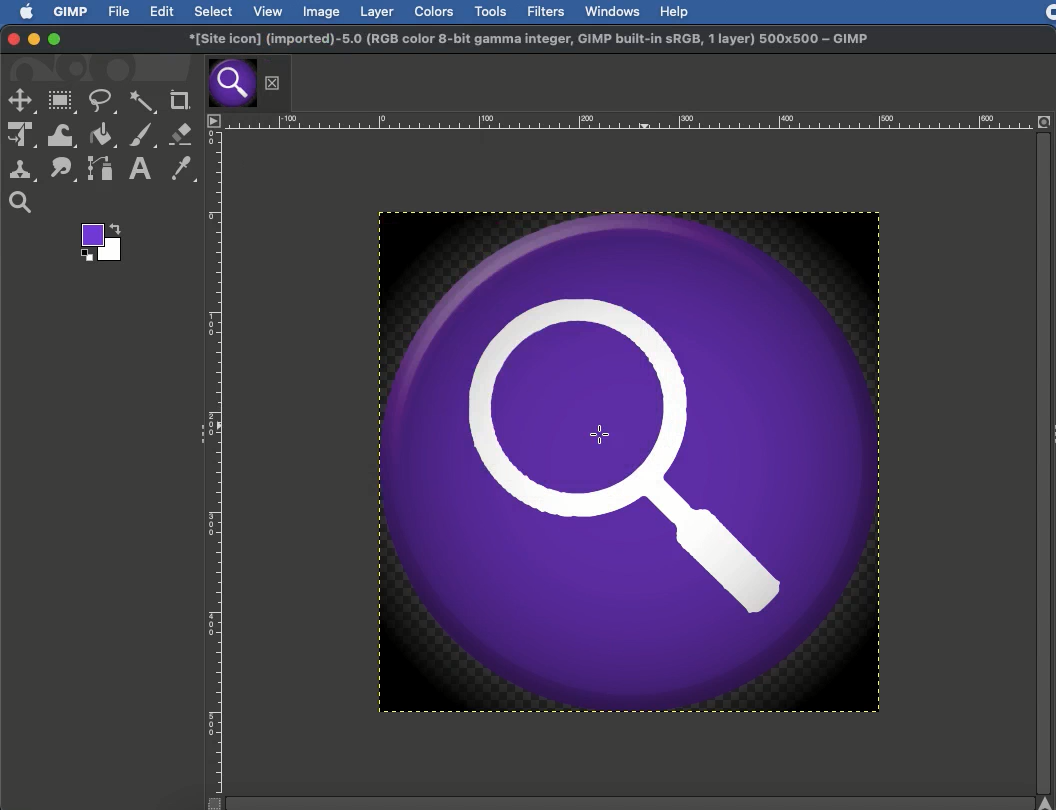 The width and height of the screenshot is (1056, 810). What do you see at coordinates (215, 462) in the screenshot?
I see `` at bounding box center [215, 462].